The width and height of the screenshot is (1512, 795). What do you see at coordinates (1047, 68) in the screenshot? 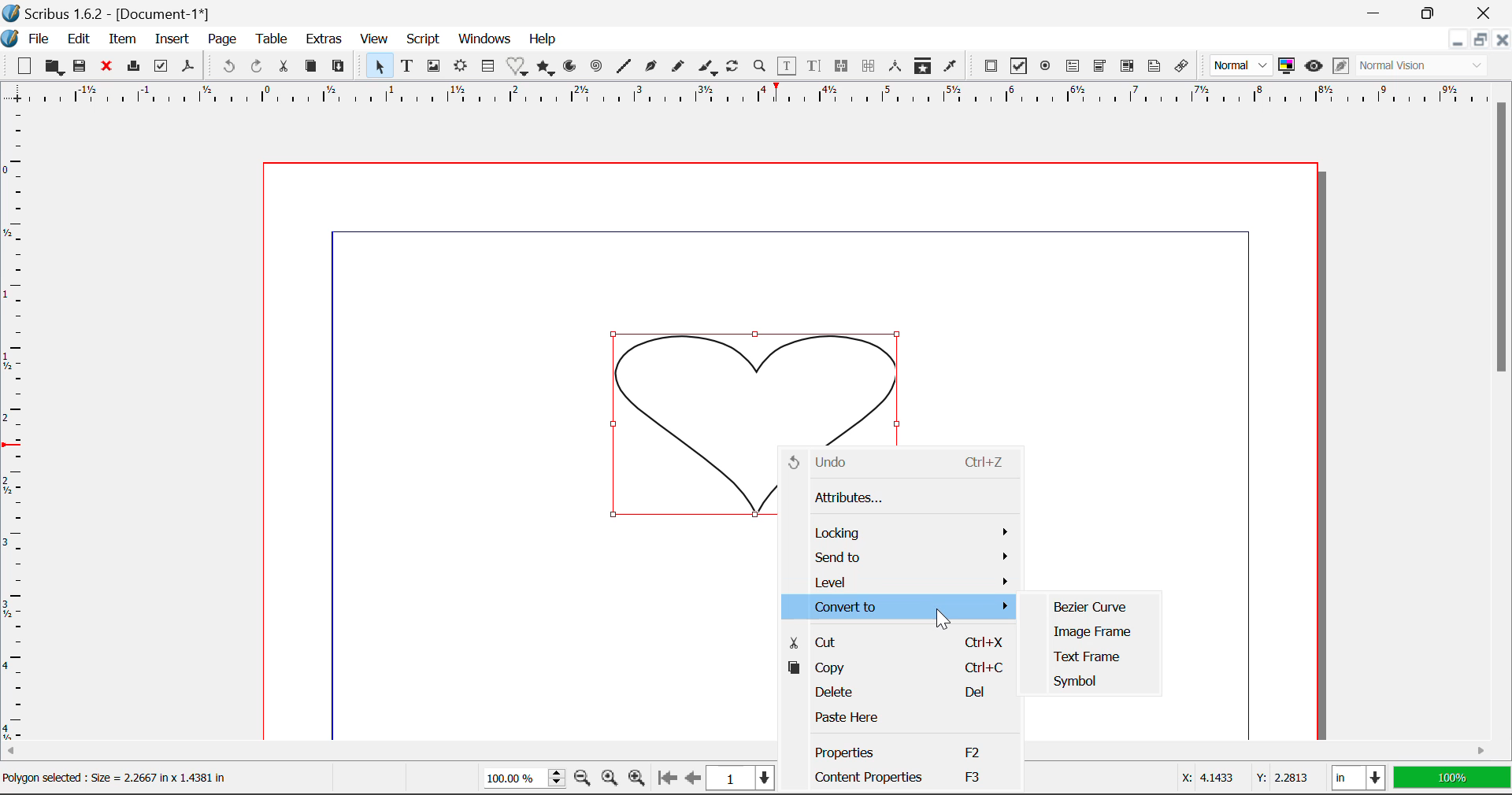
I see `Pdf Radio Button` at bounding box center [1047, 68].